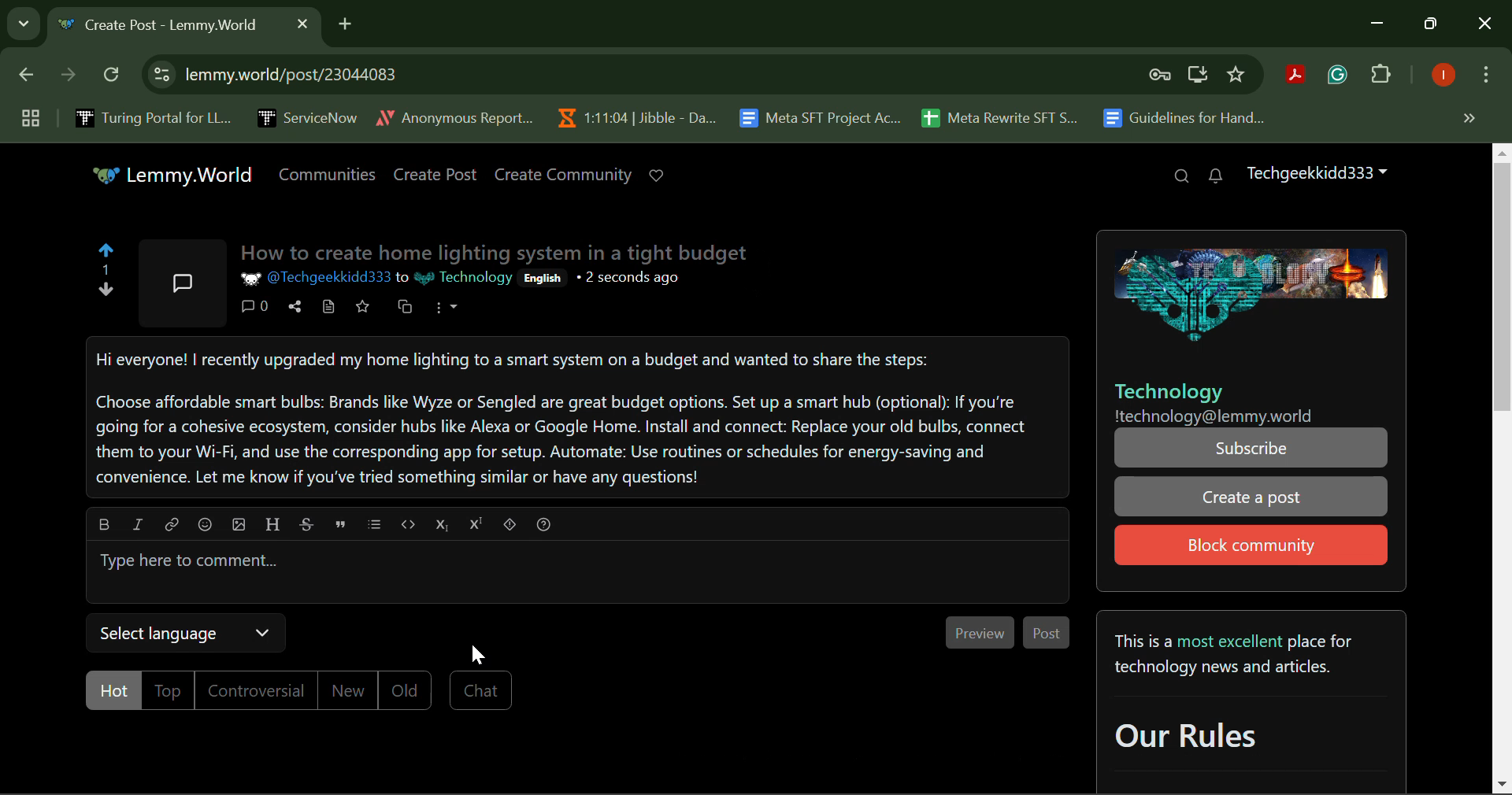  Describe the element at coordinates (480, 690) in the screenshot. I see `Chat Button` at that location.